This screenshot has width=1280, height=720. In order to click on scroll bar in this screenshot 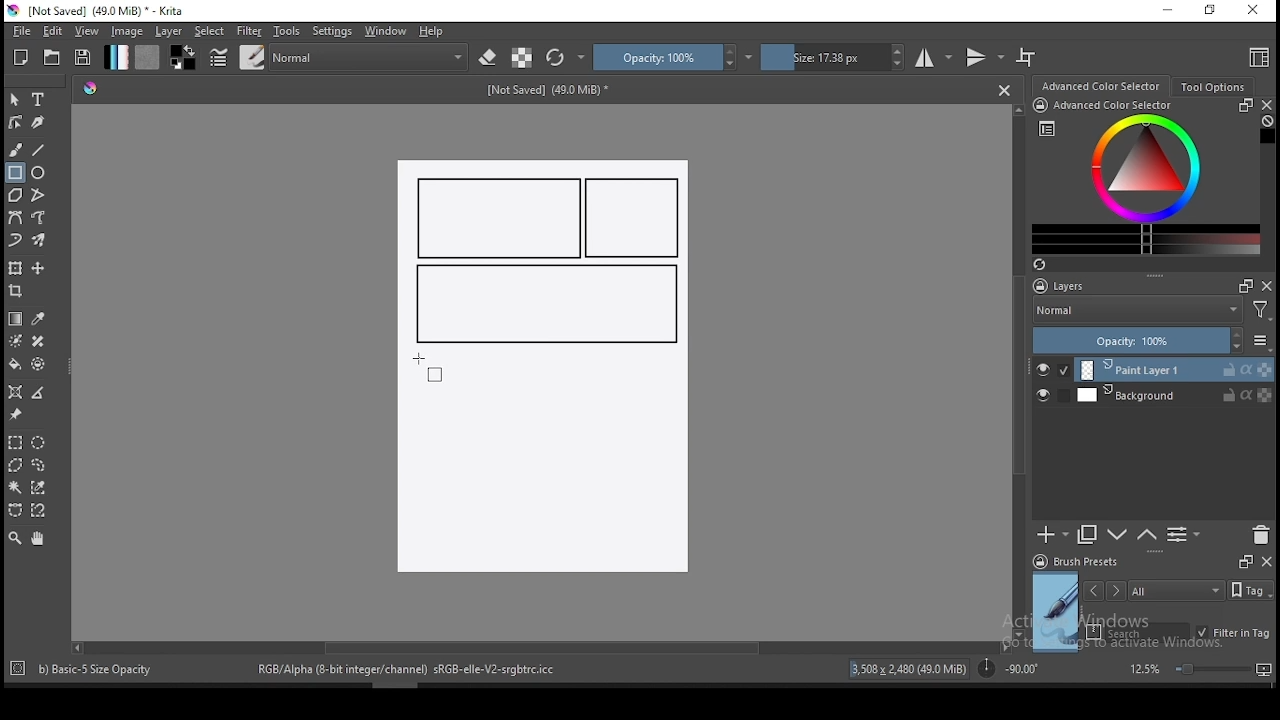, I will do `click(539, 646)`.